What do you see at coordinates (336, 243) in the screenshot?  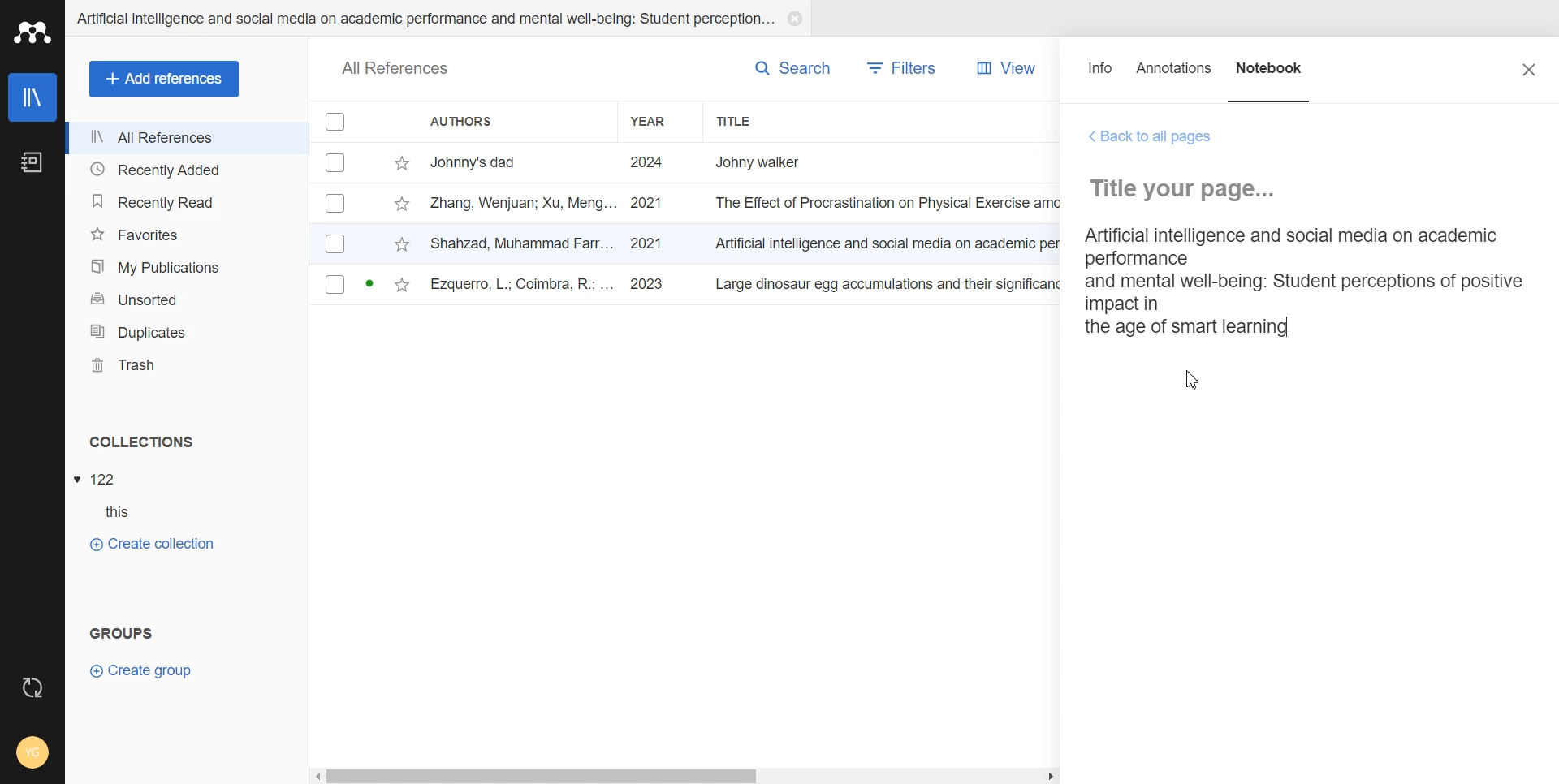 I see `Checkbox` at bounding box center [336, 243].